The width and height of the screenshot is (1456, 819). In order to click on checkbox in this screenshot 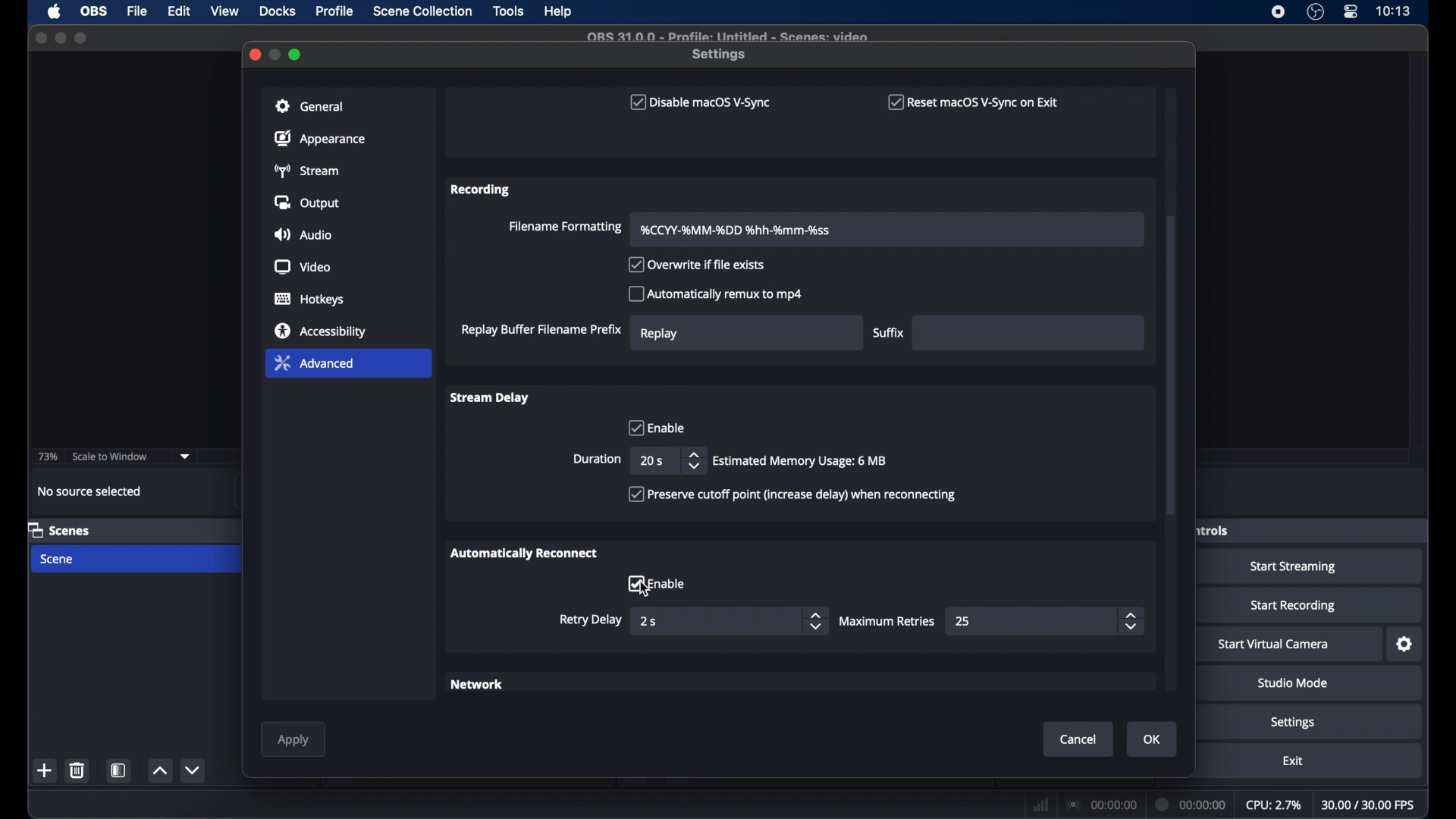, I will do `click(792, 494)`.